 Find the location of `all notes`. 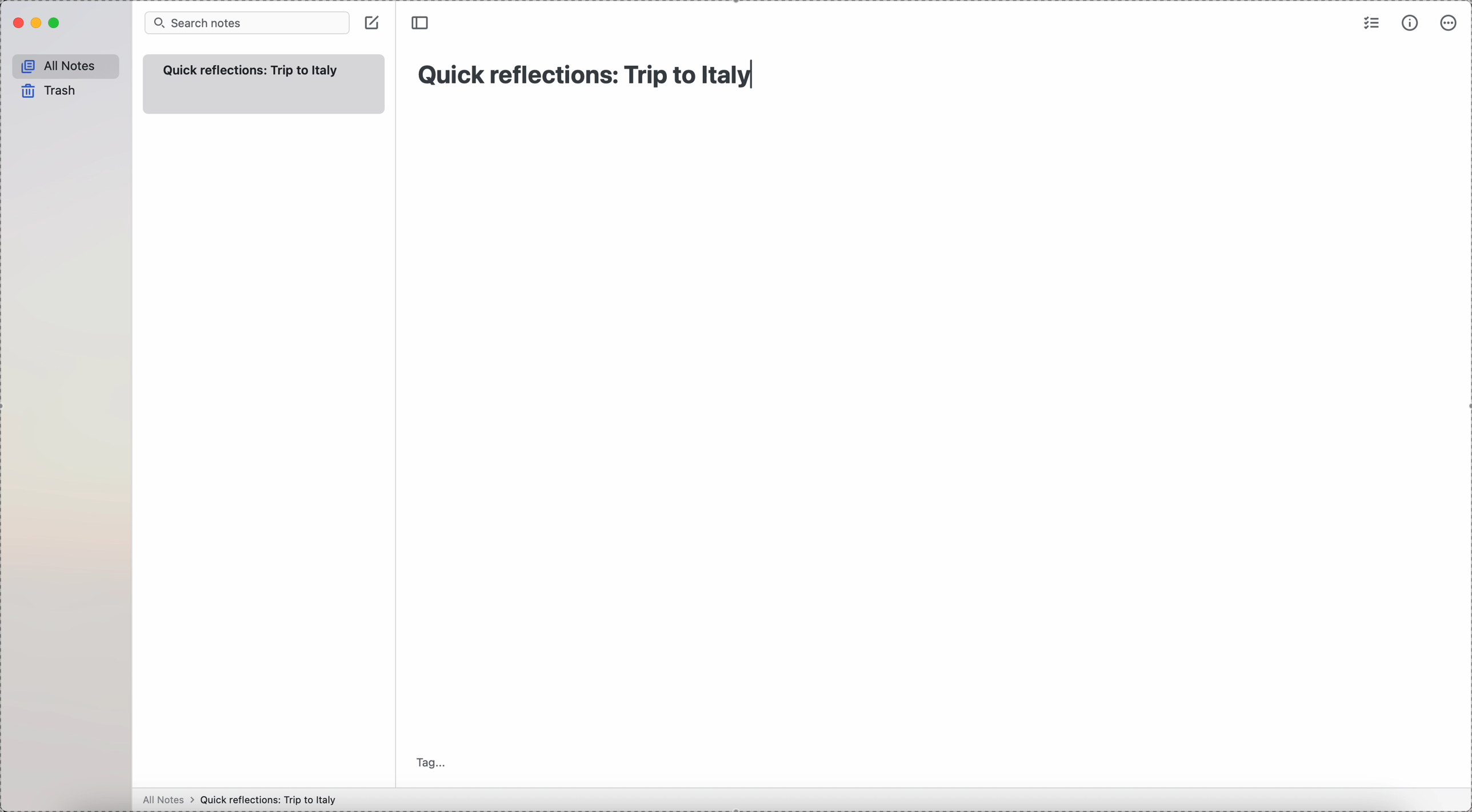

all notes is located at coordinates (60, 65).